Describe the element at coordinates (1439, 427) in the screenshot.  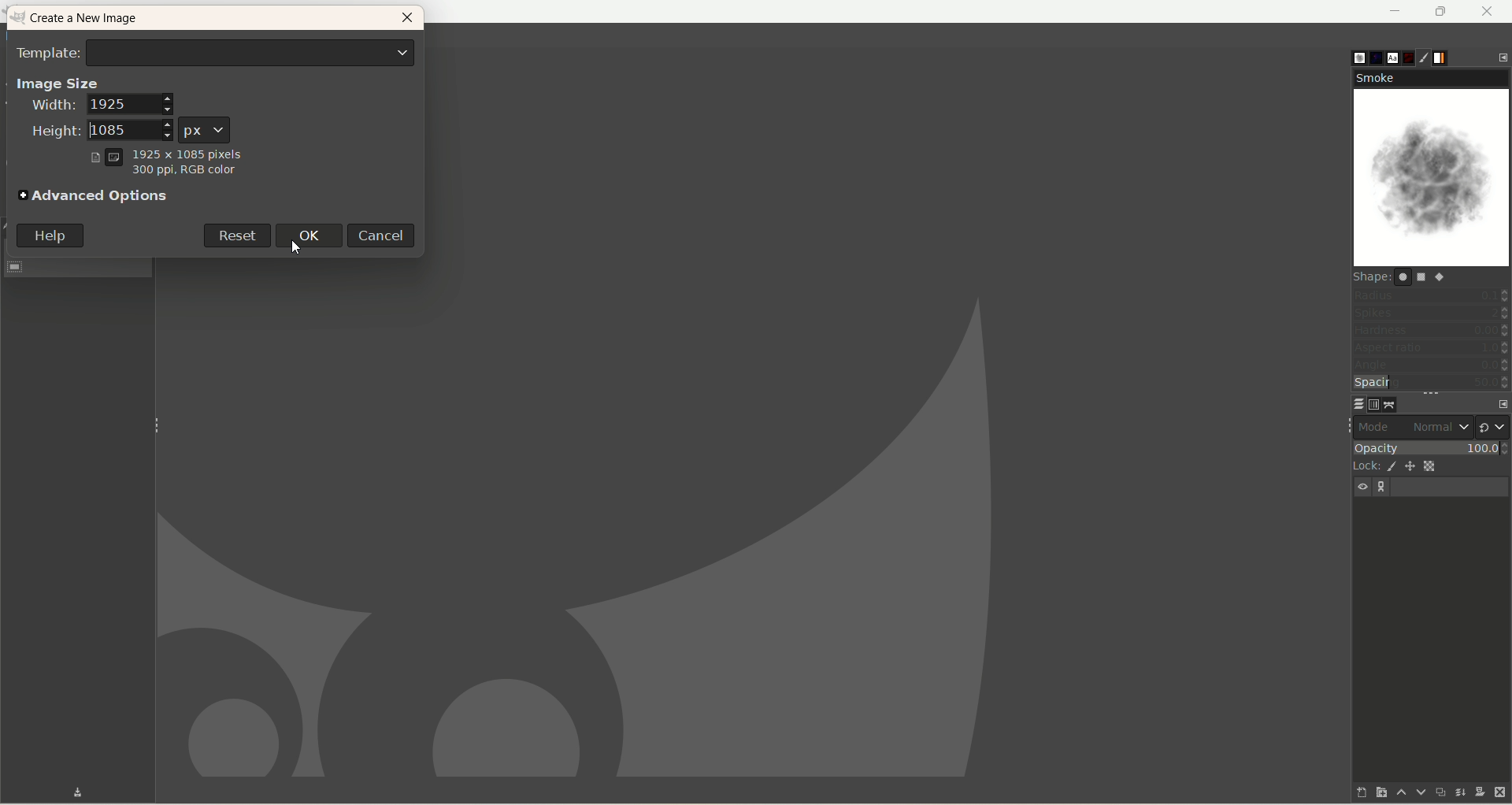
I see `normal` at that location.